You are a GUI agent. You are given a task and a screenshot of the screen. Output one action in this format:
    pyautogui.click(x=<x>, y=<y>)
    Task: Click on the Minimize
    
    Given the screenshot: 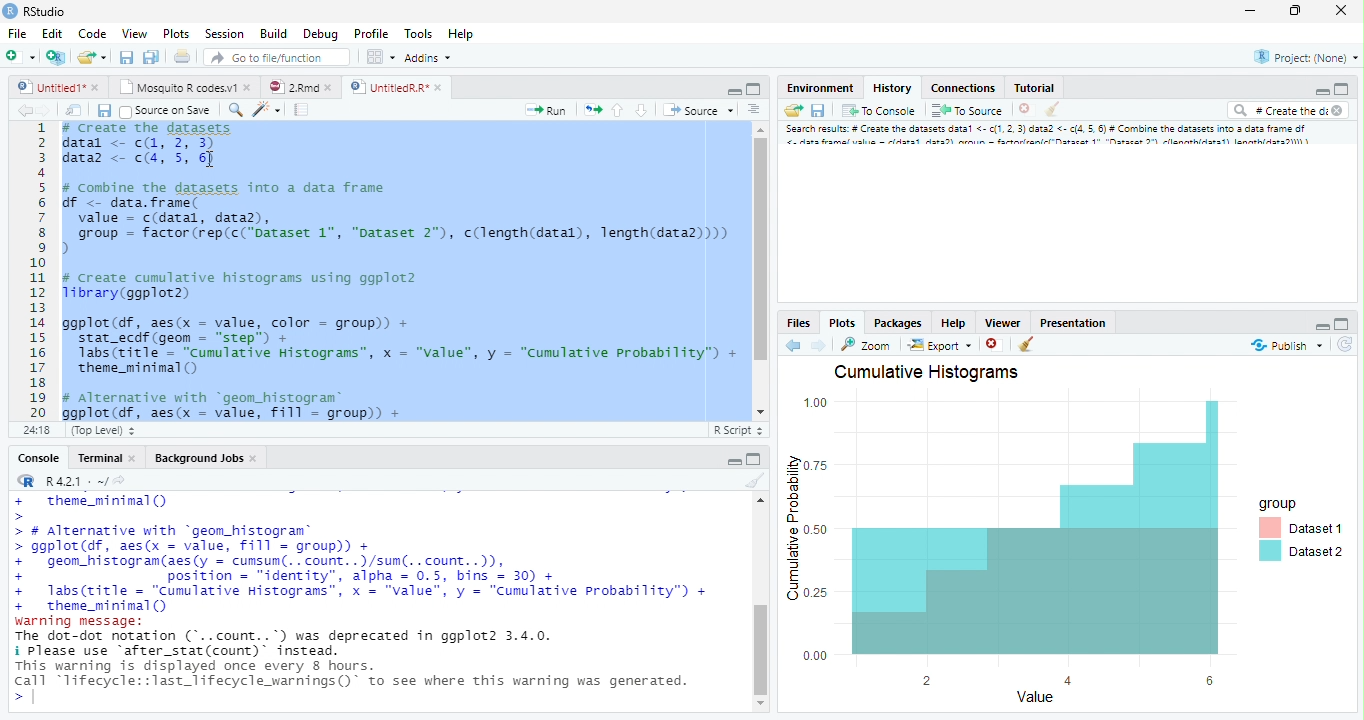 What is the action you would take?
    pyautogui.click(x=1321, y=92)
    